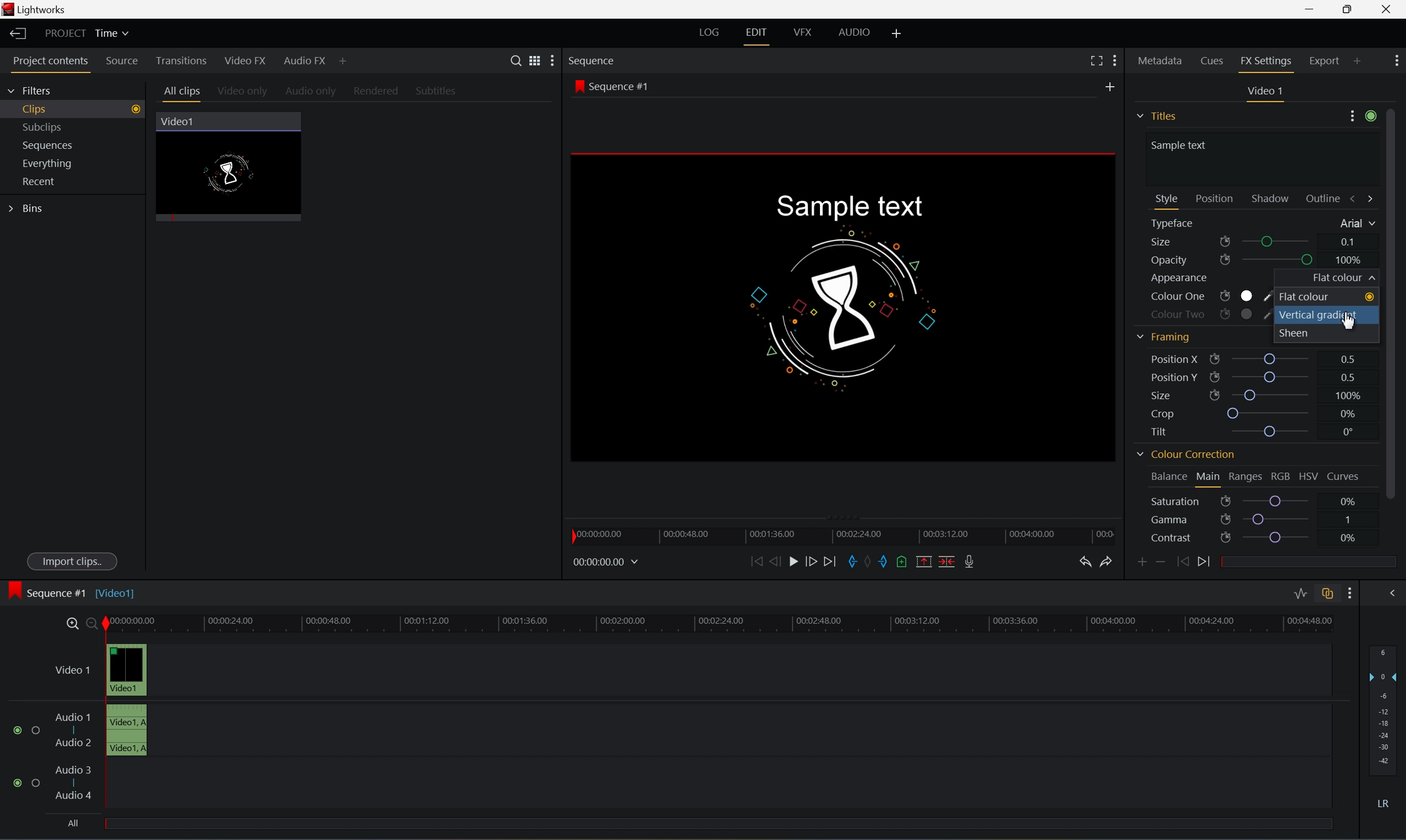 The width and height of the screenshot is (1406, 840). Describe the element at coordinates (1348, 593) in the screenshot. I see `show settings menu` at that location.